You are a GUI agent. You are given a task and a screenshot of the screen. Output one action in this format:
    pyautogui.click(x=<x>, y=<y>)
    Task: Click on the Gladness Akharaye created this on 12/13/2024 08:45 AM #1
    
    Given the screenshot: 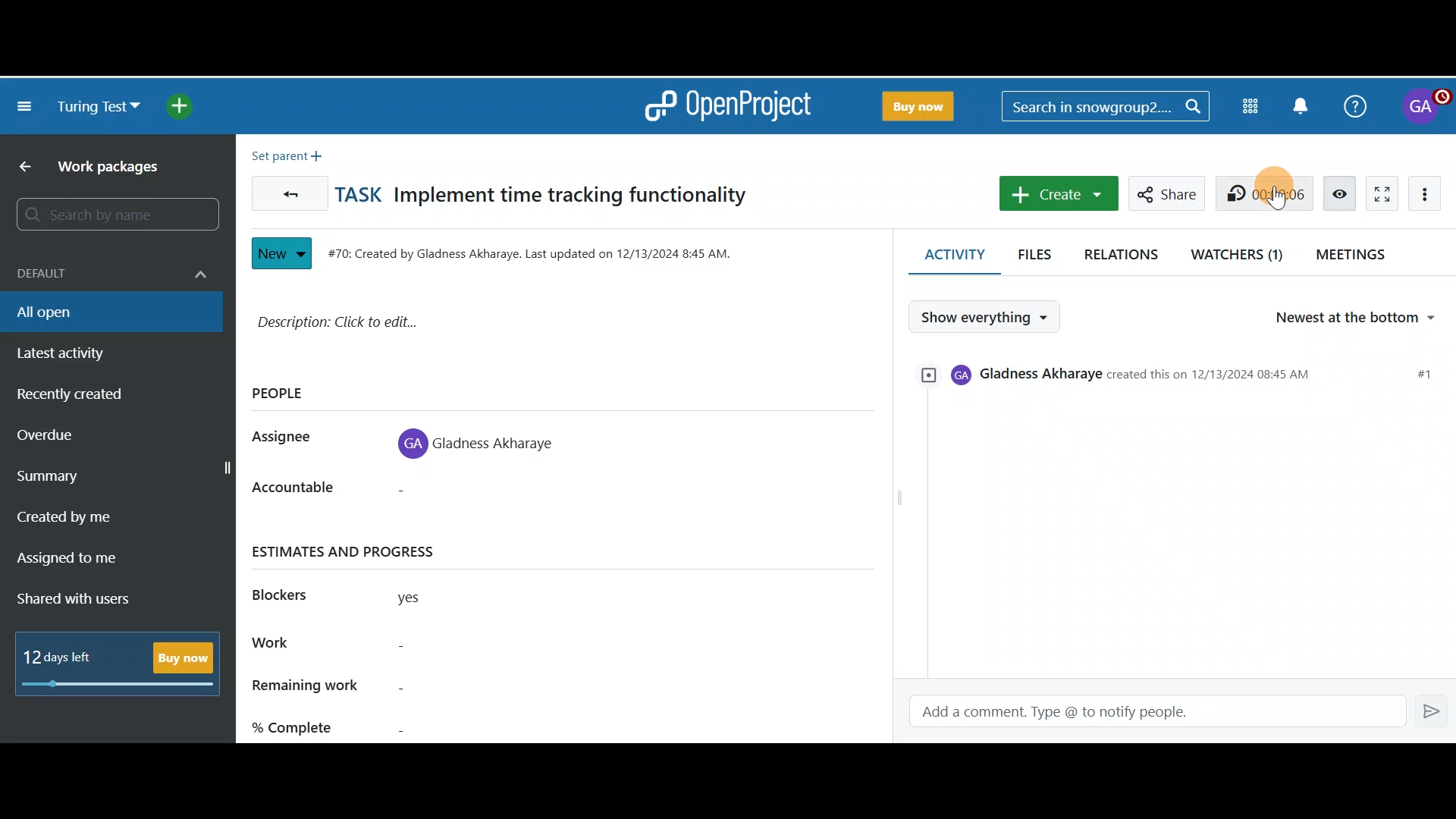 What is the action you would take?
    pyautogui.click(x=1180, y=379)
    